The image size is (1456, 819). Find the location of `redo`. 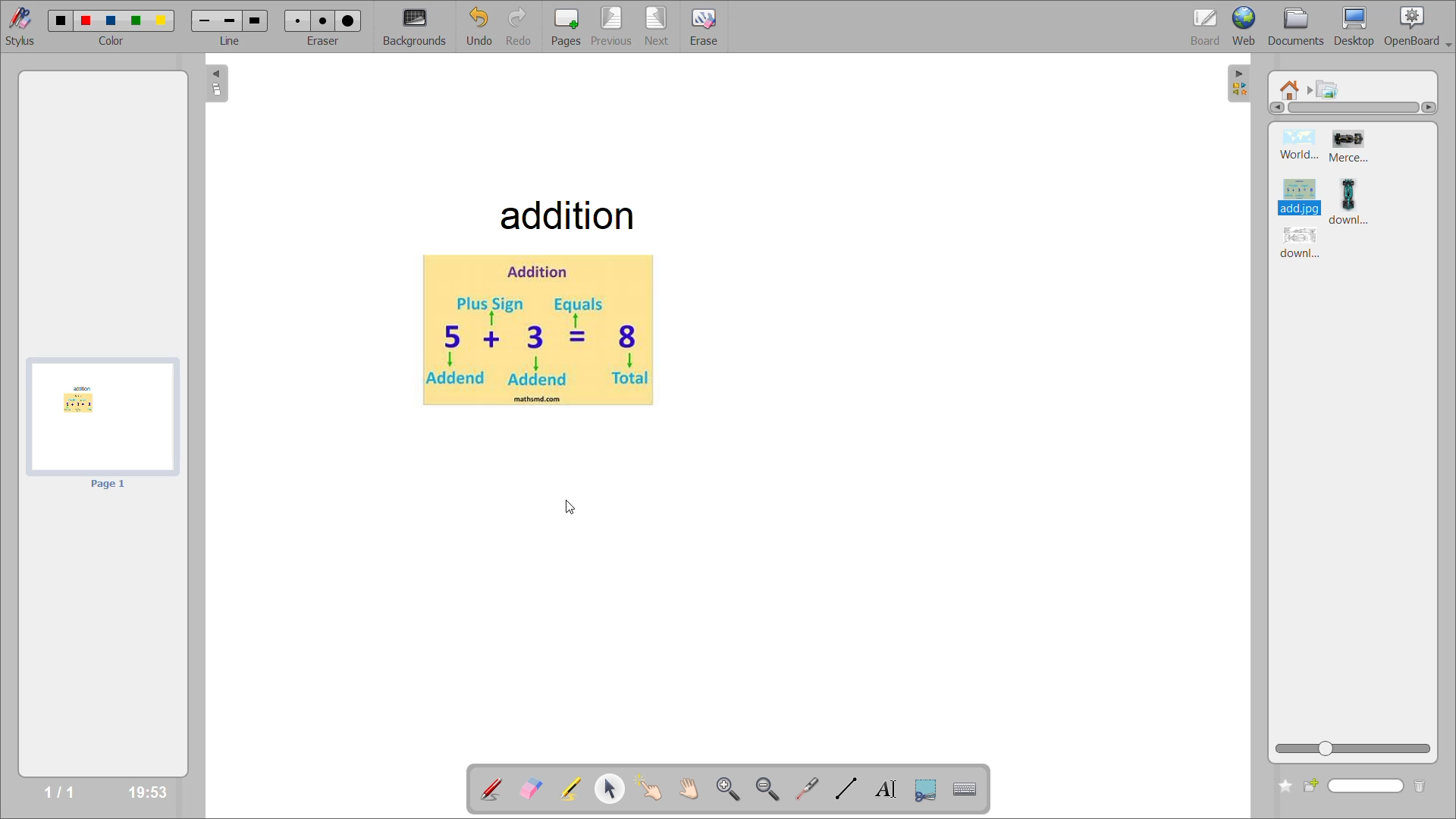

redo is located at coordinates (523, 27).